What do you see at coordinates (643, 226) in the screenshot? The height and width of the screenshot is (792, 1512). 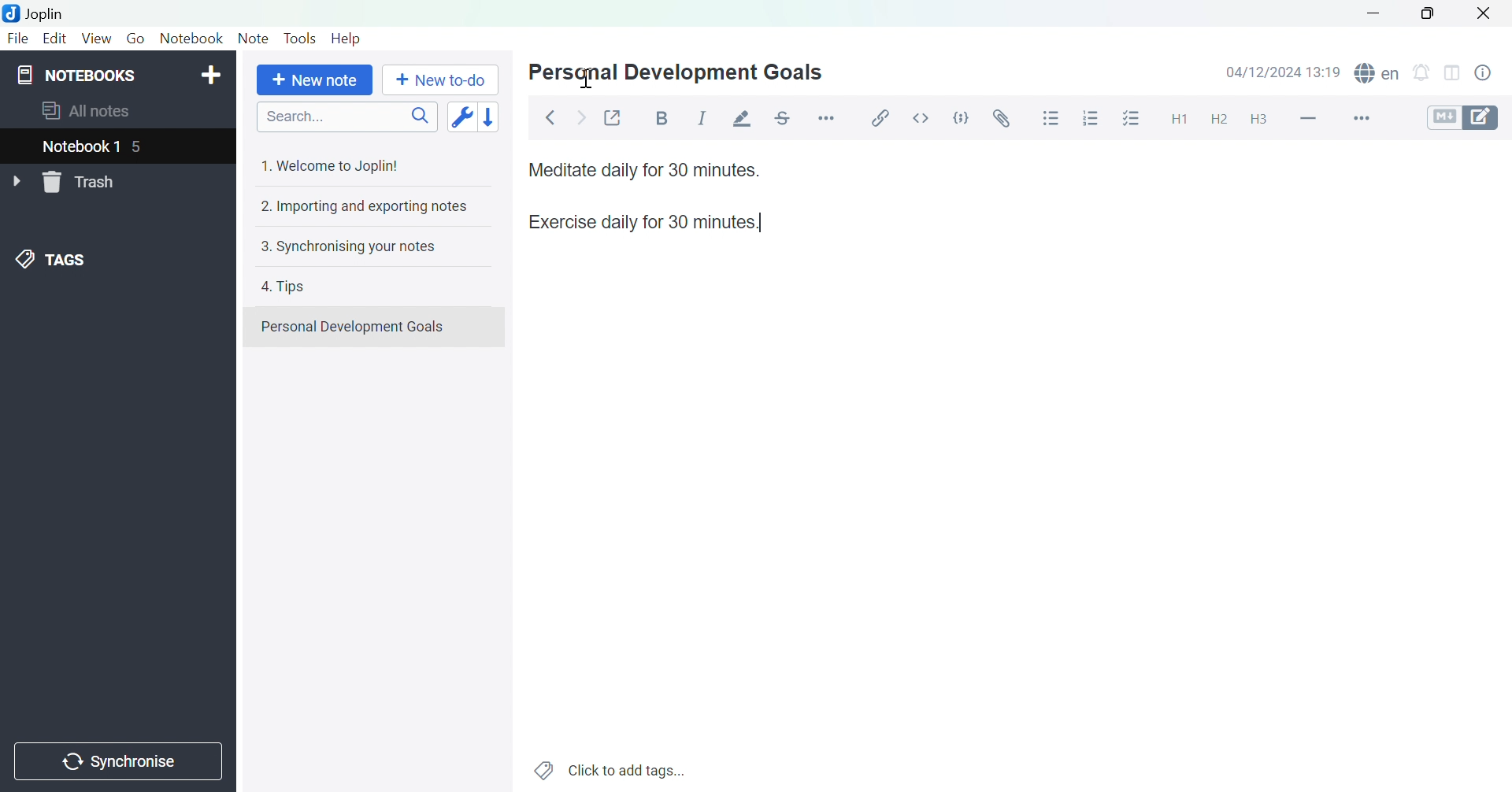 I see `Exercise daily for 30 minutes` at bounding box center [643, 226].